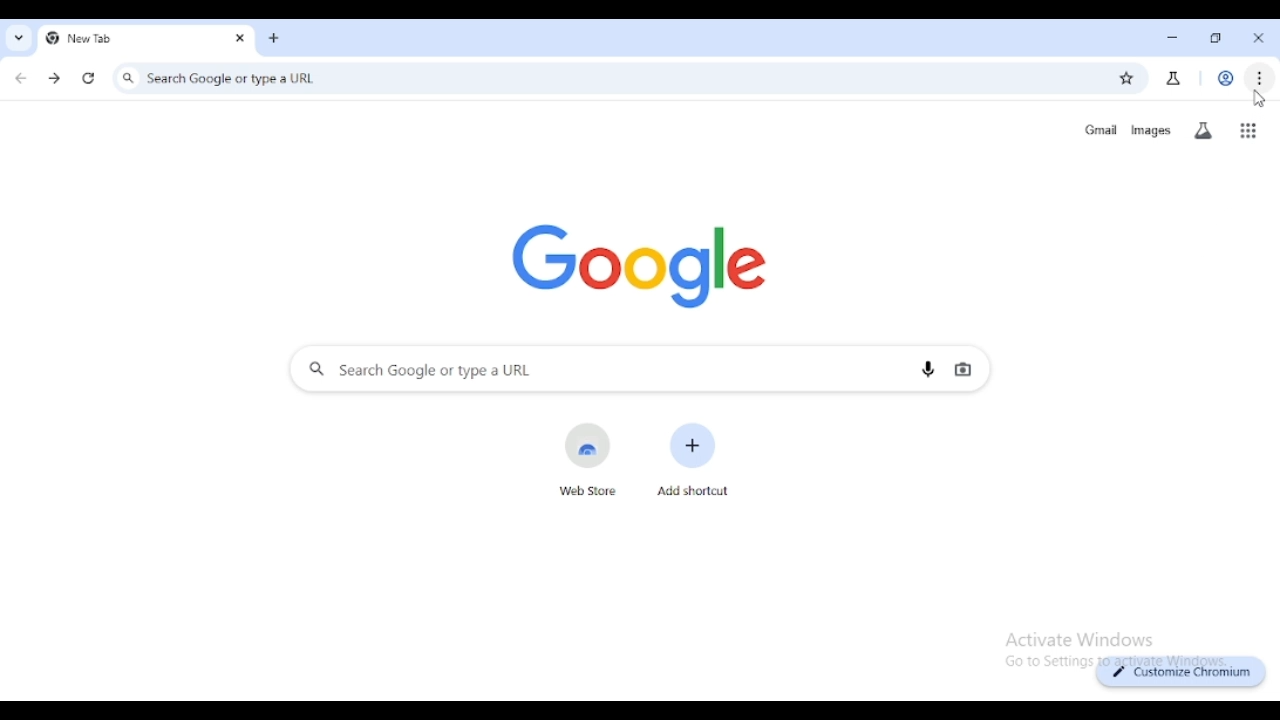 The image size is (1280, 720). What do you see at coordinates (589, 460) in the screenshot?
I see `web store` at bounding box center [589, 460].